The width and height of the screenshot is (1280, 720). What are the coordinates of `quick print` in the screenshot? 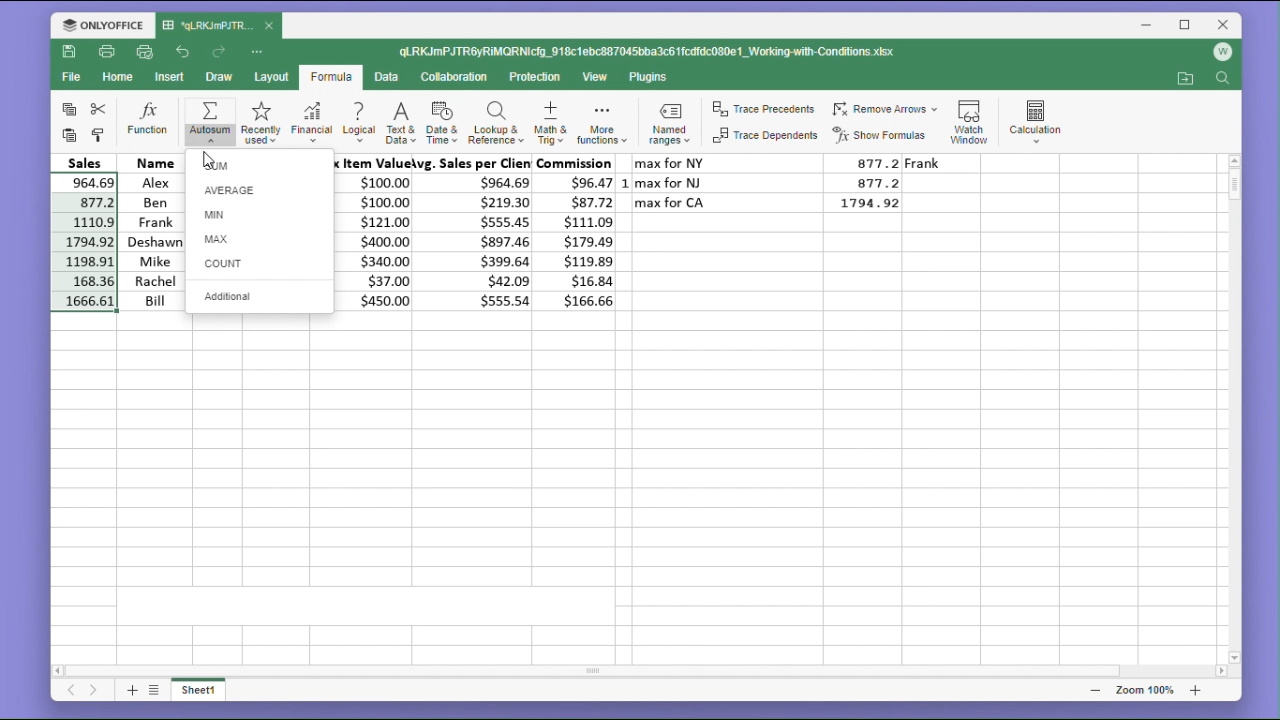 It's located at (146, 53).